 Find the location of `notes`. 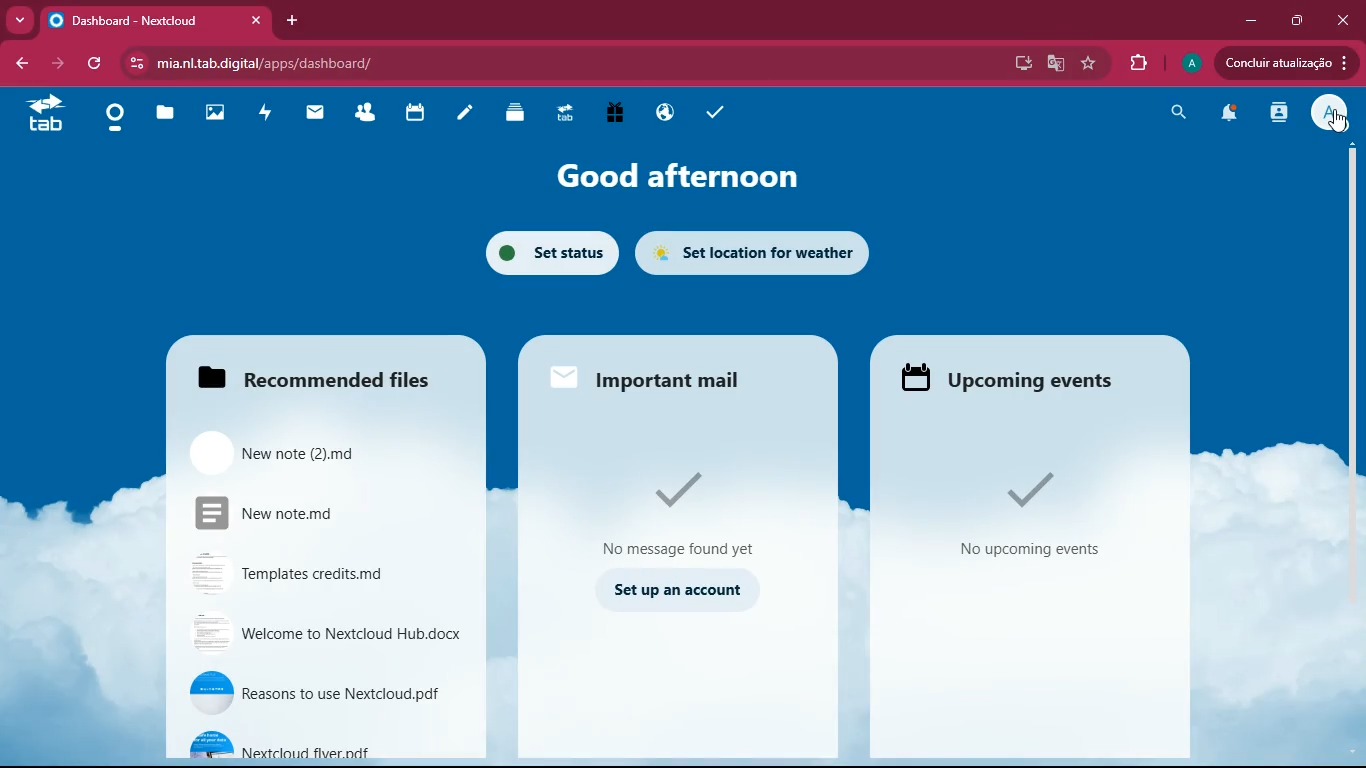

notes is located at coordinates (462, 117).